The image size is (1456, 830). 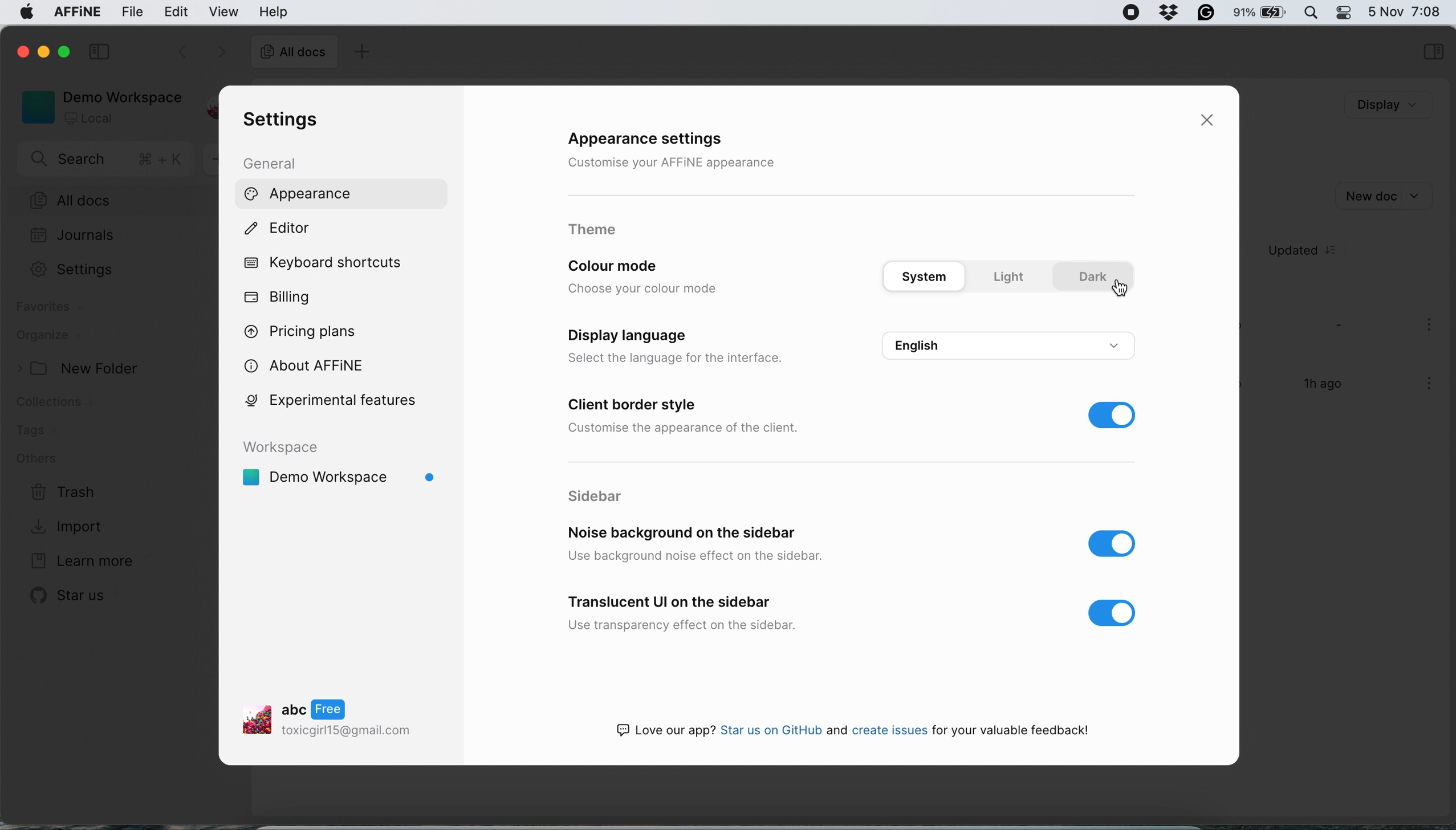 I want to click on display language, so click(x=638, y=335).